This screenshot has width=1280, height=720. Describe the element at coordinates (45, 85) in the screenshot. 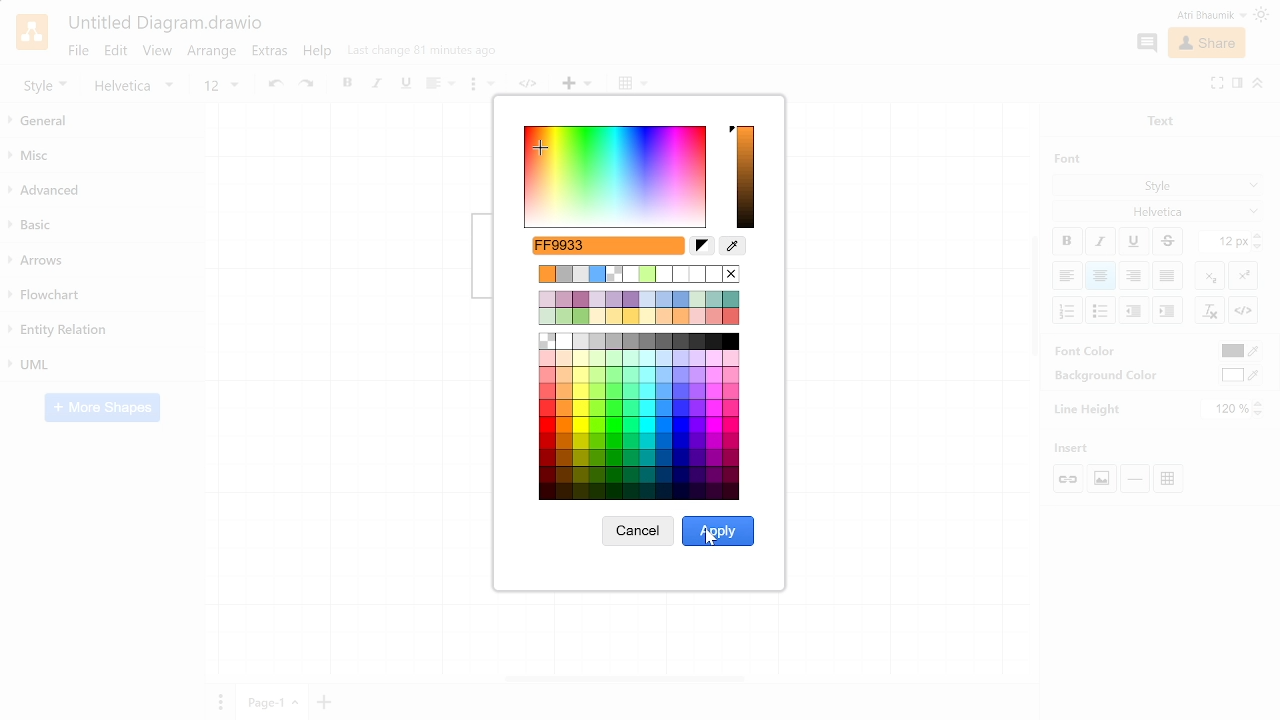

I see `style` at that location.